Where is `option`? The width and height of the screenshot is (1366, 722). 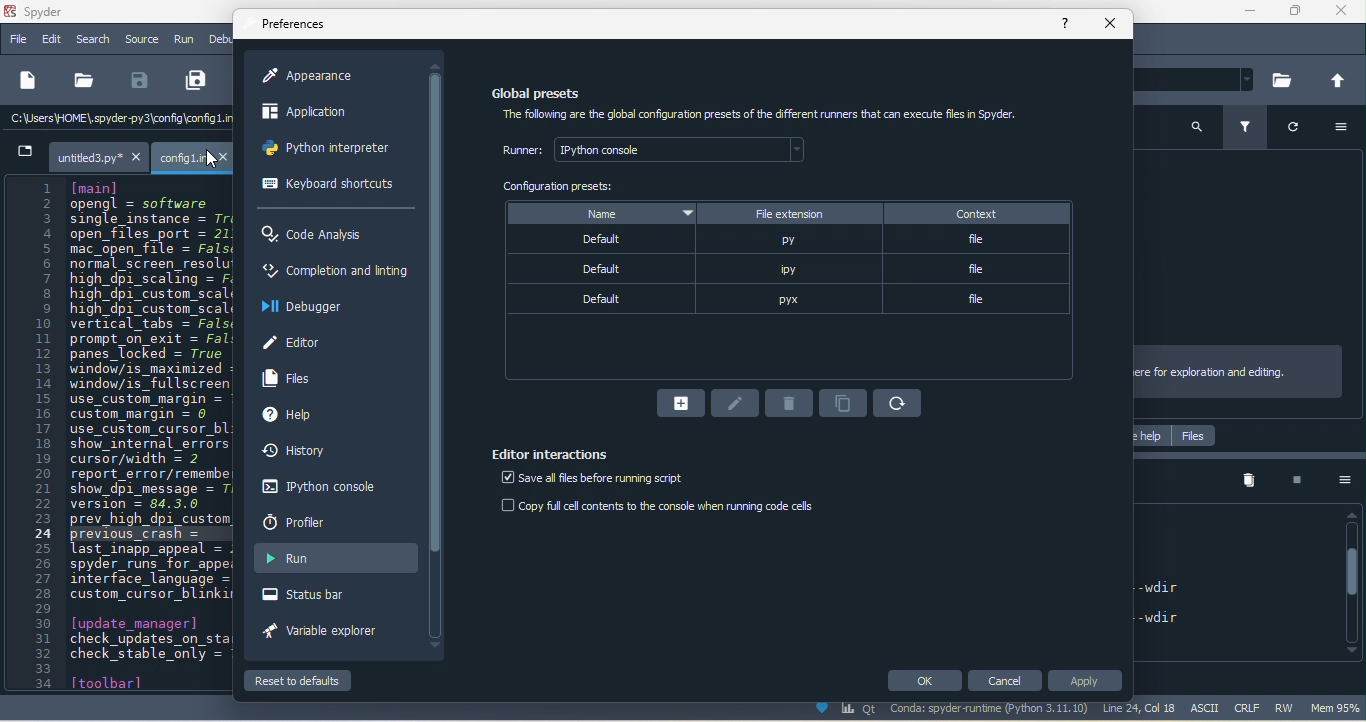 option is located at coordinates (1341, 482).